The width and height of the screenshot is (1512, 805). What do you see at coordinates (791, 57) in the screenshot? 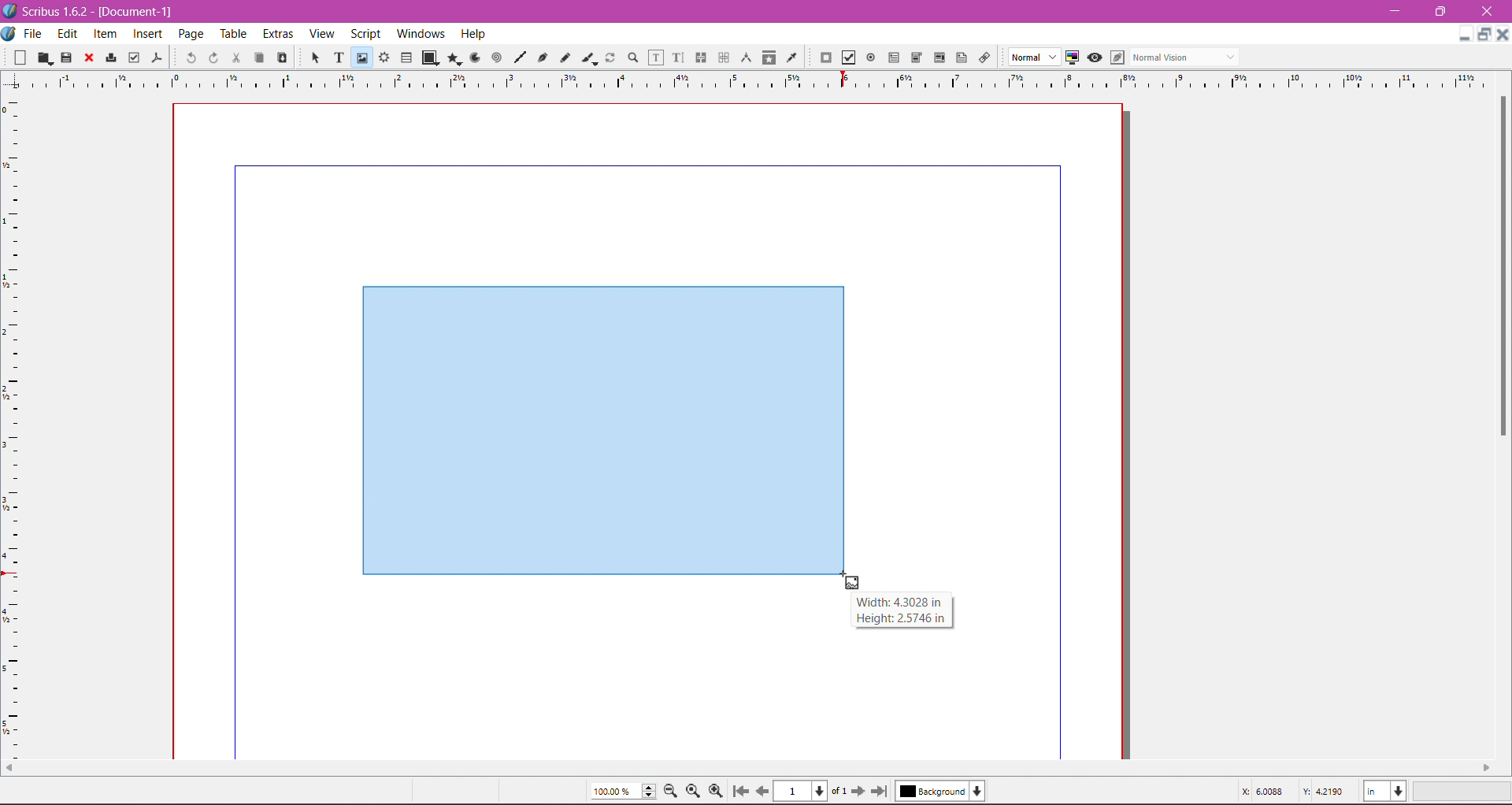
I see `Eye Dropper` at bounding box center [791, 57].